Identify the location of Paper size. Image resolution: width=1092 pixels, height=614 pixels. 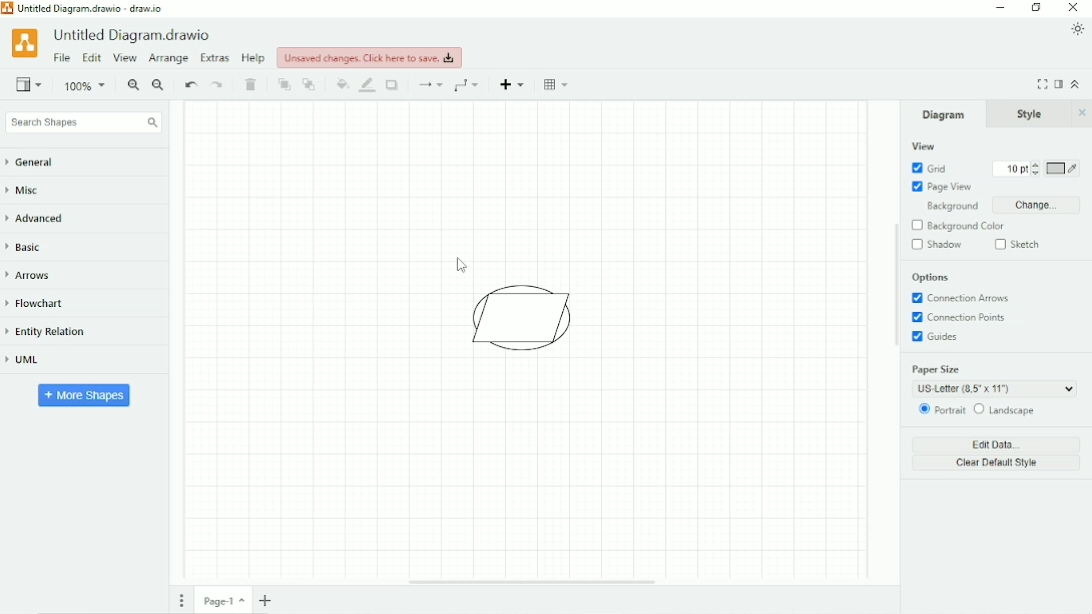
(993, 379).